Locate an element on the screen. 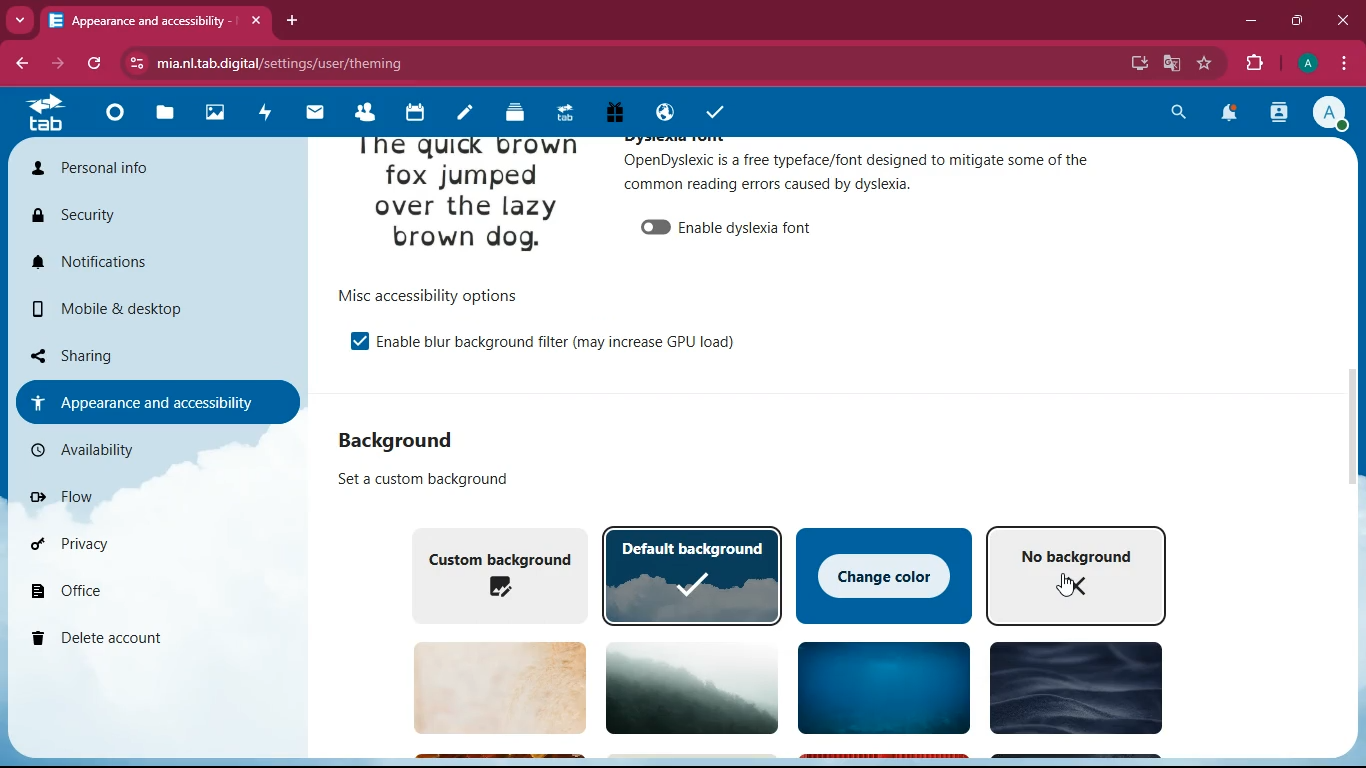  activity is located at coordinates (1280, 113).